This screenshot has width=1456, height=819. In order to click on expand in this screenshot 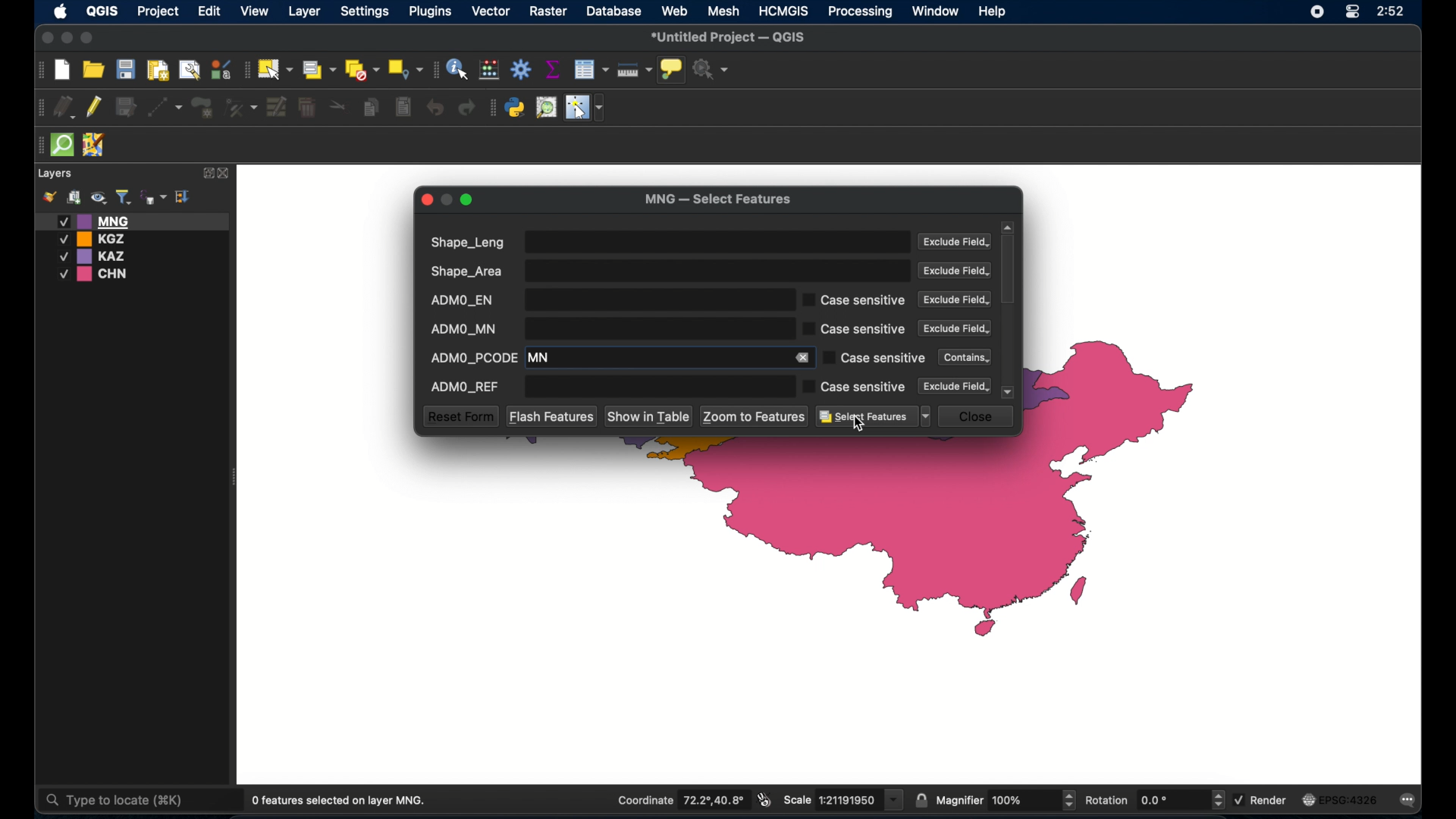, I will do `click(206, 173)`.